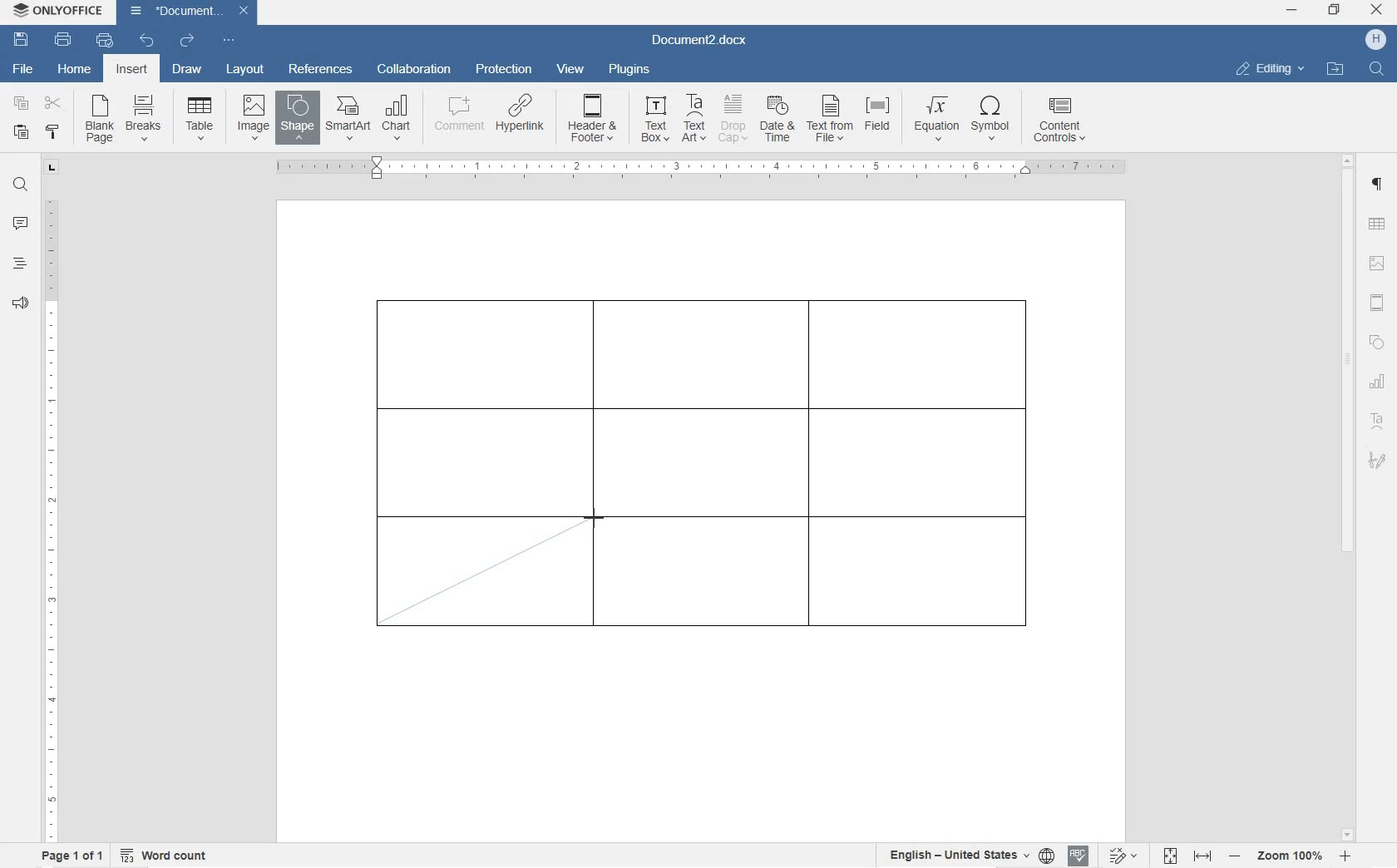 Image resolution: width=1397 pixels, height=868 pixels. Describe the element at coordinates (70, 856) in the screenshot. I see `page 1 of 1` at that location.